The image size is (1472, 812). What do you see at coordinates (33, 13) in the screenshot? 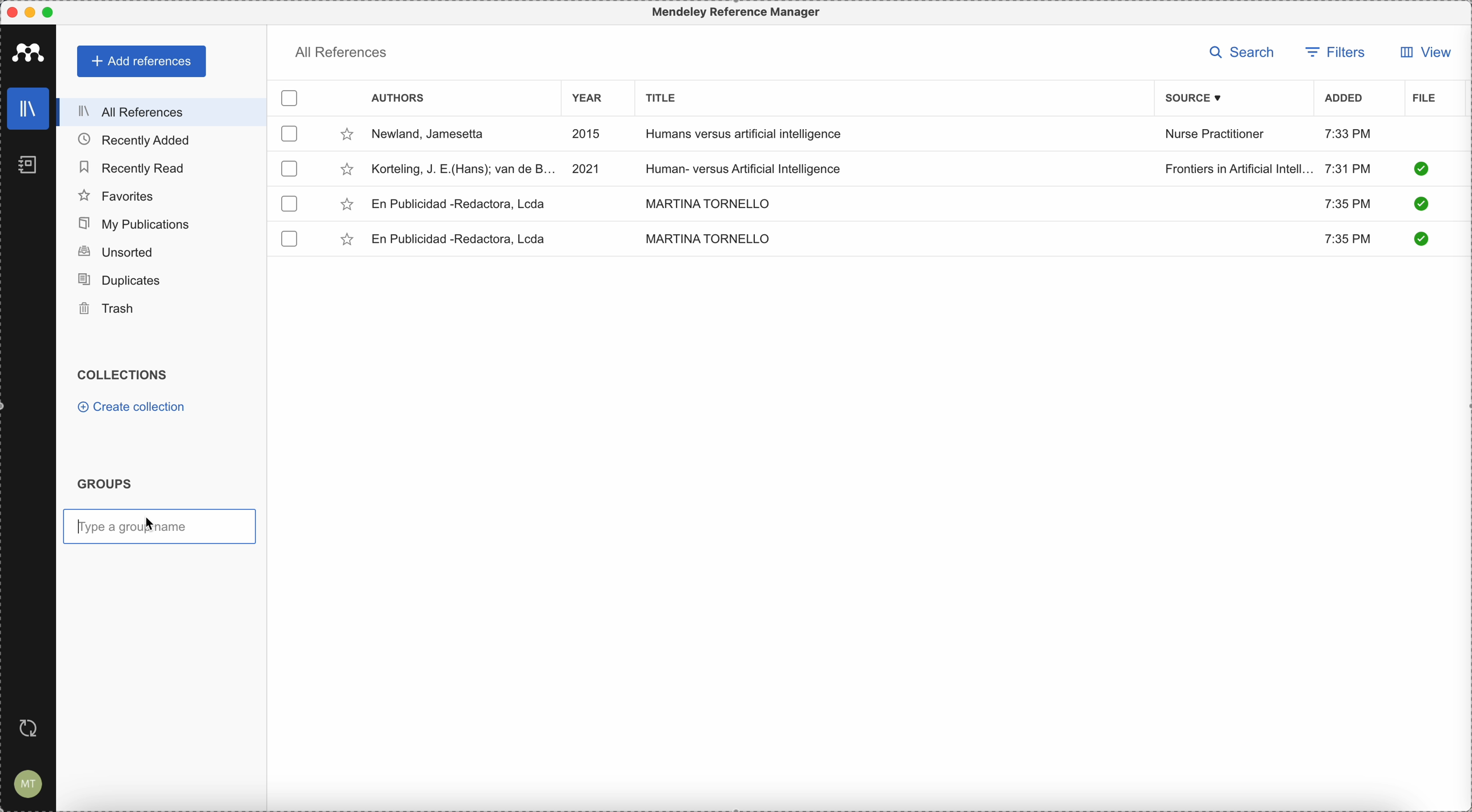
I see `minimize` at bounding box center [33, 13].